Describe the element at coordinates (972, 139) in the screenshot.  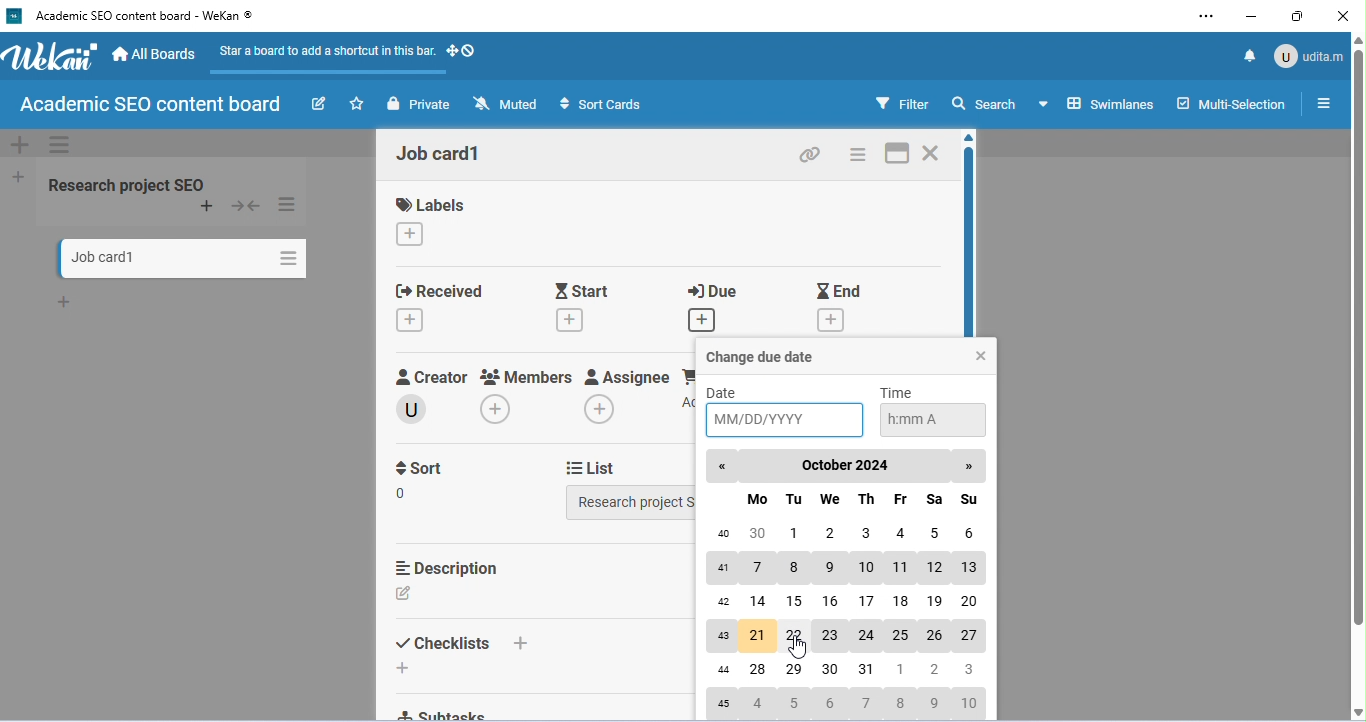
I see `move up` at that location.